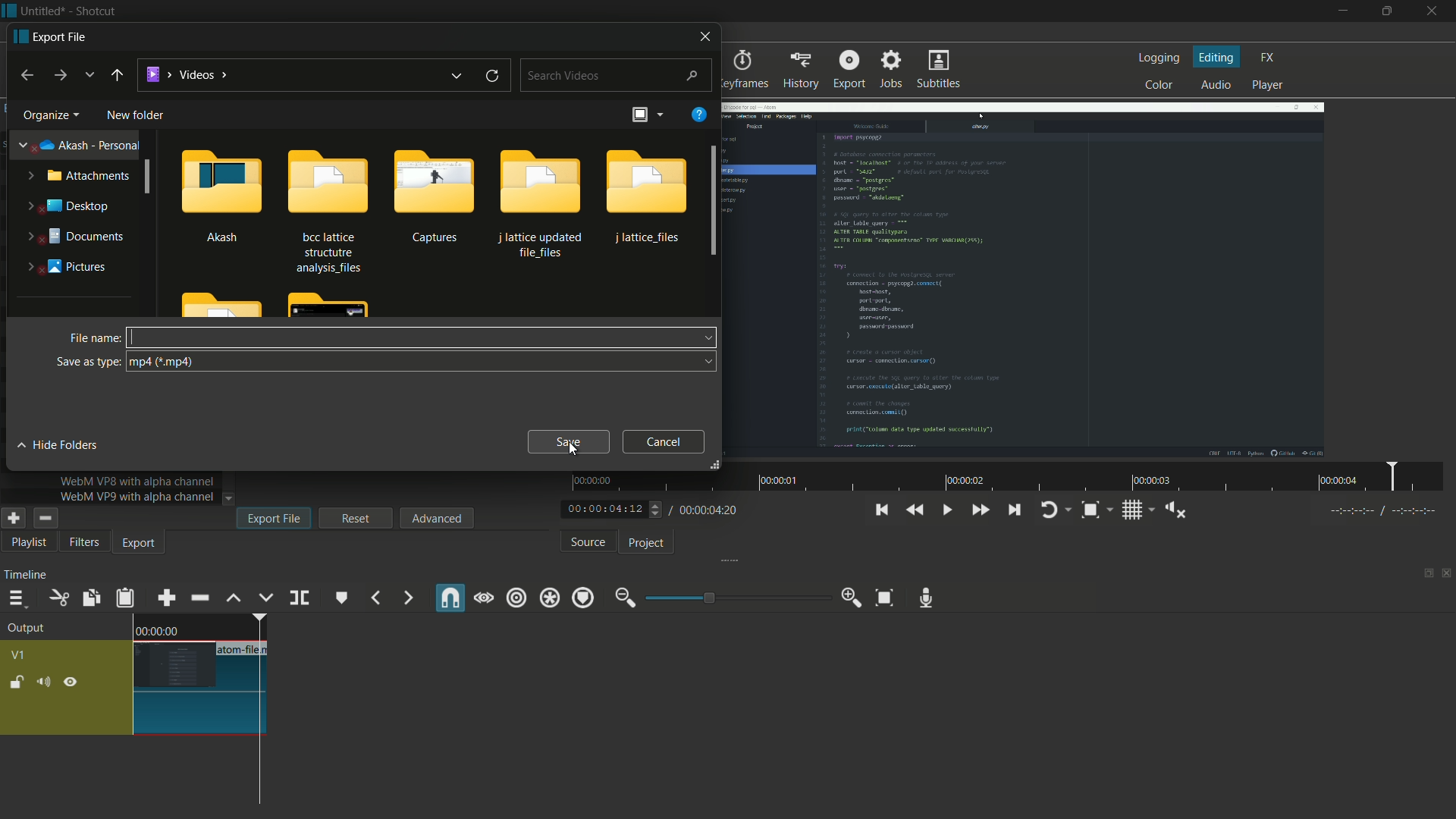 The height and width of the screenshot is (819, 1456). What do you see at coordinates (45, 518) in the screenshot?
I see `remove selected preset` at bounding box center [45, 518].